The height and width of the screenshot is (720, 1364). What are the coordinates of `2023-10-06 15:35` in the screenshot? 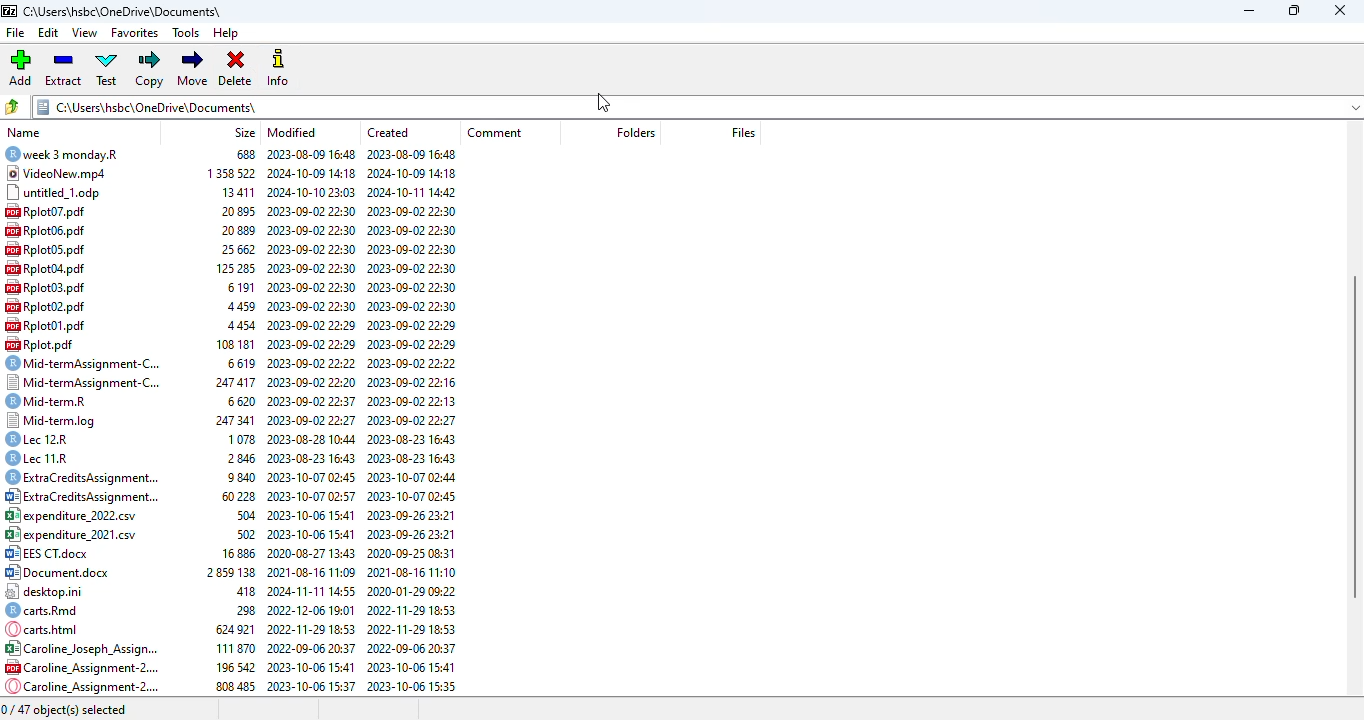 It's located at (417, 684).